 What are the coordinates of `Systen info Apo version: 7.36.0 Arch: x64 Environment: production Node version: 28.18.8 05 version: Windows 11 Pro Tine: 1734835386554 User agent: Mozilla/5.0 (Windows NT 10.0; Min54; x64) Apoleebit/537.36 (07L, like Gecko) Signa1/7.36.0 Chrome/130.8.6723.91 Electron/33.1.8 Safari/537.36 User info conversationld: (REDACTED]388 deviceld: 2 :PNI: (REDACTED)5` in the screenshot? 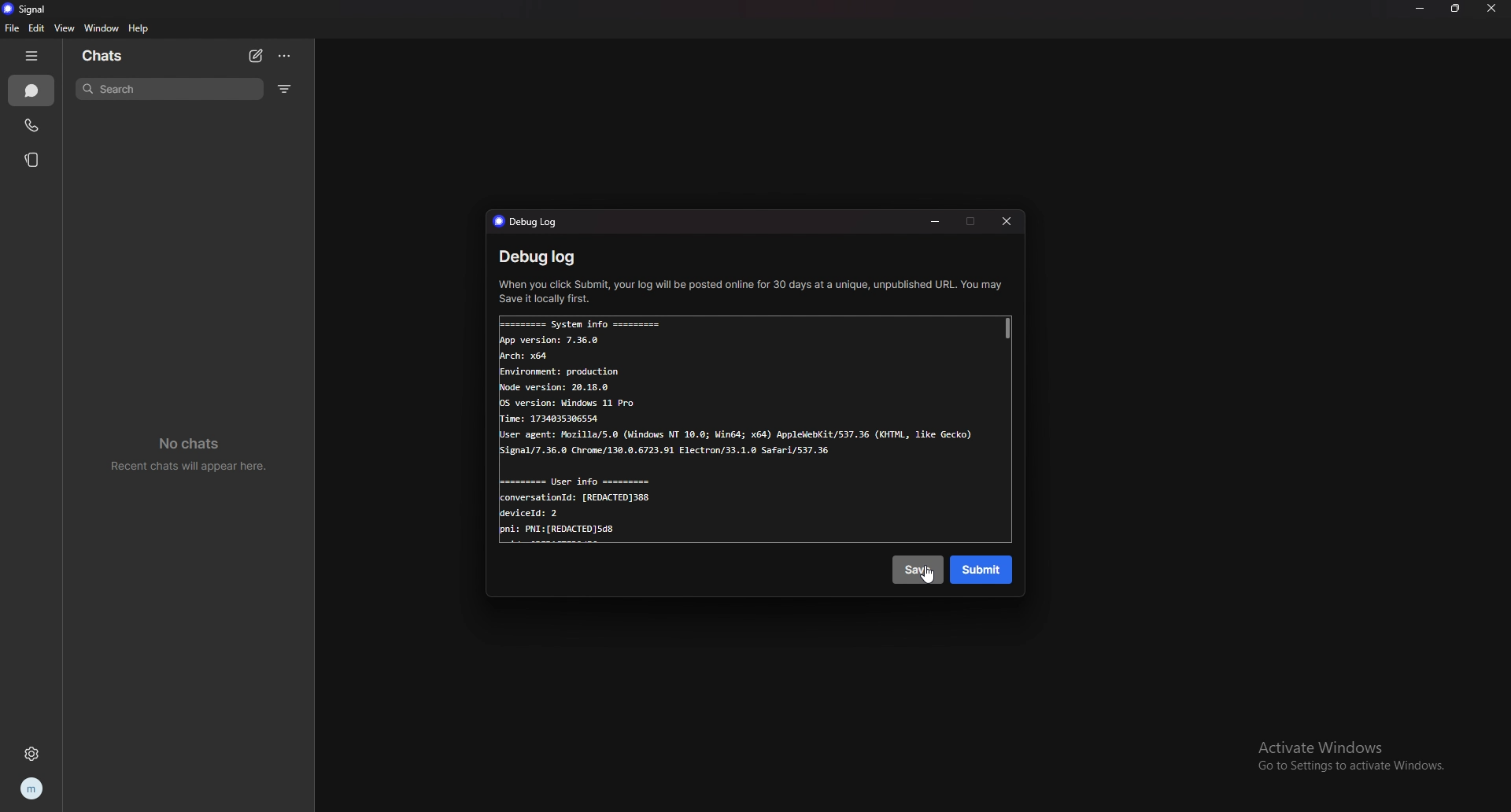 It's located at (741, 434).